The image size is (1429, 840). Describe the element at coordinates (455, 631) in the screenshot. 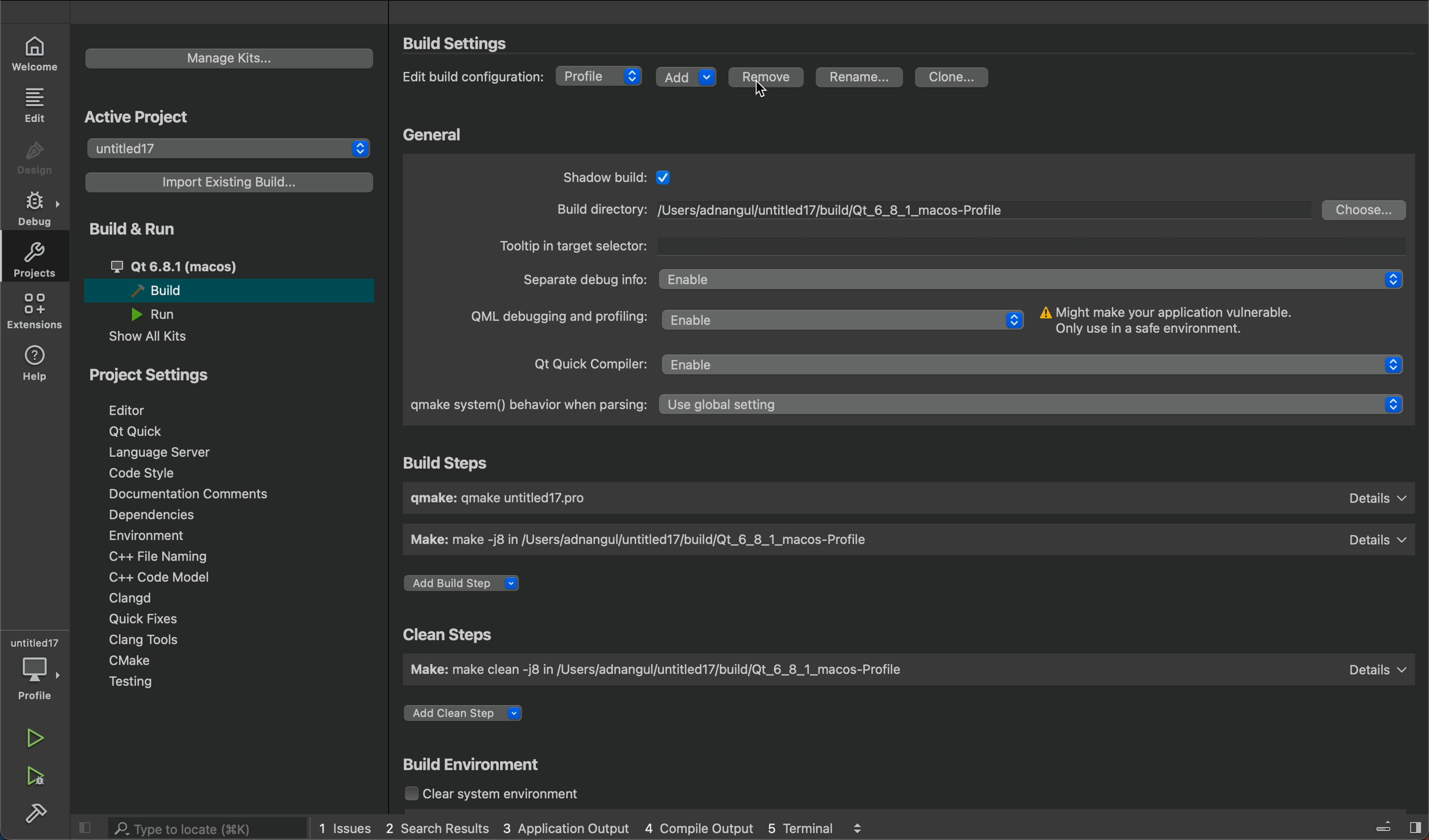

I see `` at that location.